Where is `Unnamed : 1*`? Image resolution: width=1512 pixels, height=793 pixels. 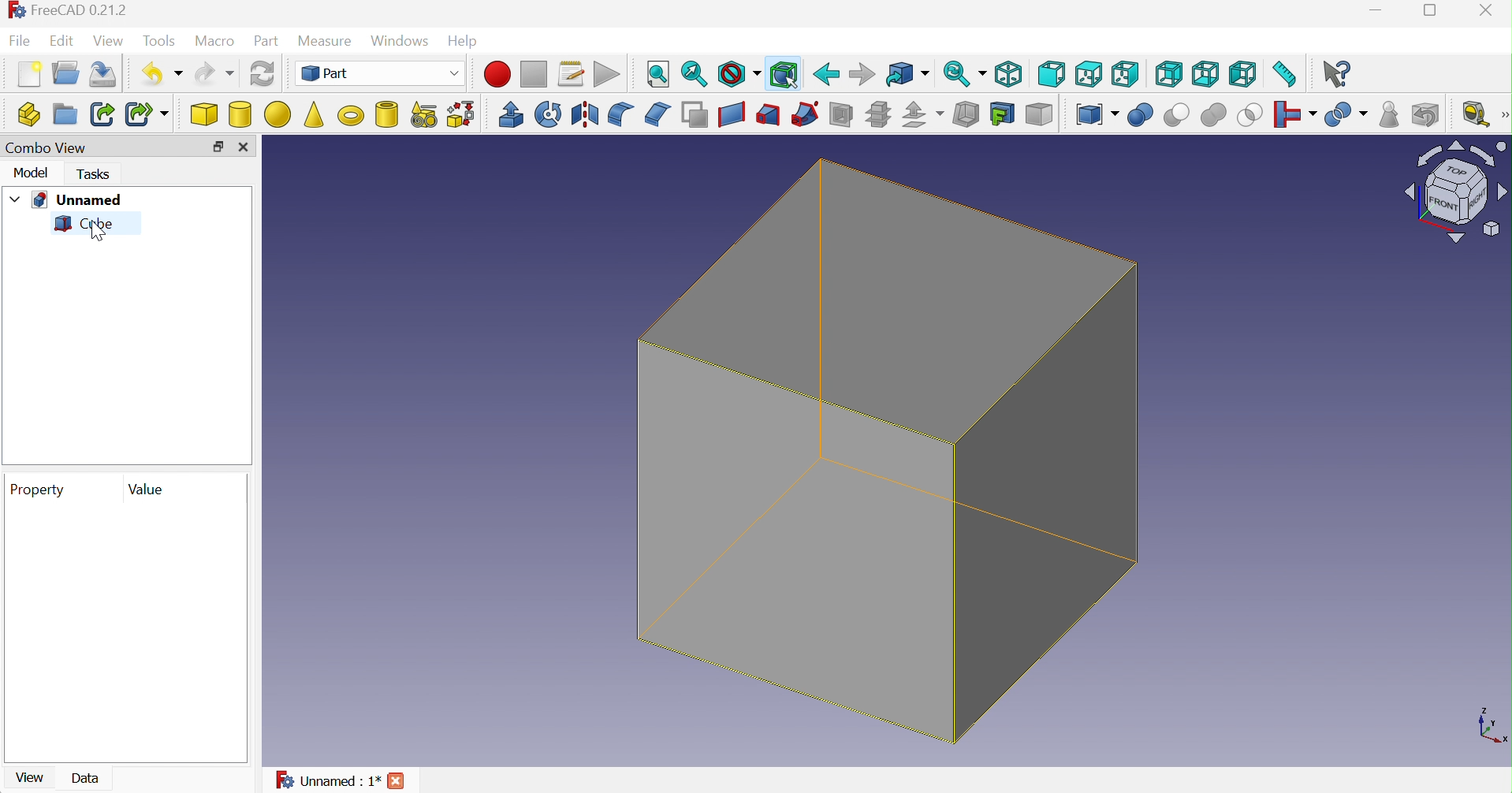 Unnamed : 1* is located at coordinates (330, 782).